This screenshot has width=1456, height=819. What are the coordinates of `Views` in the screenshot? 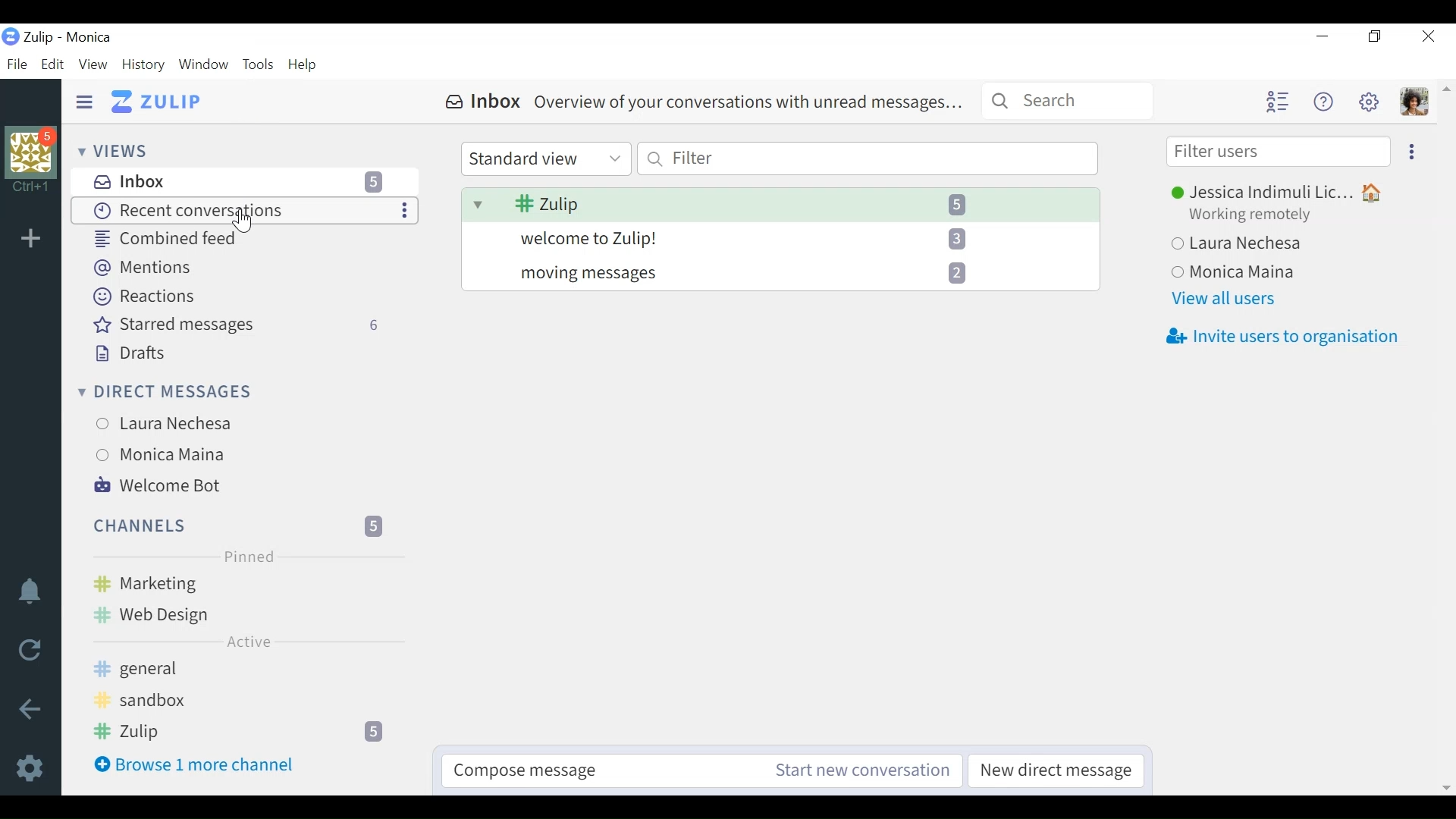 It's located at (116, 152).